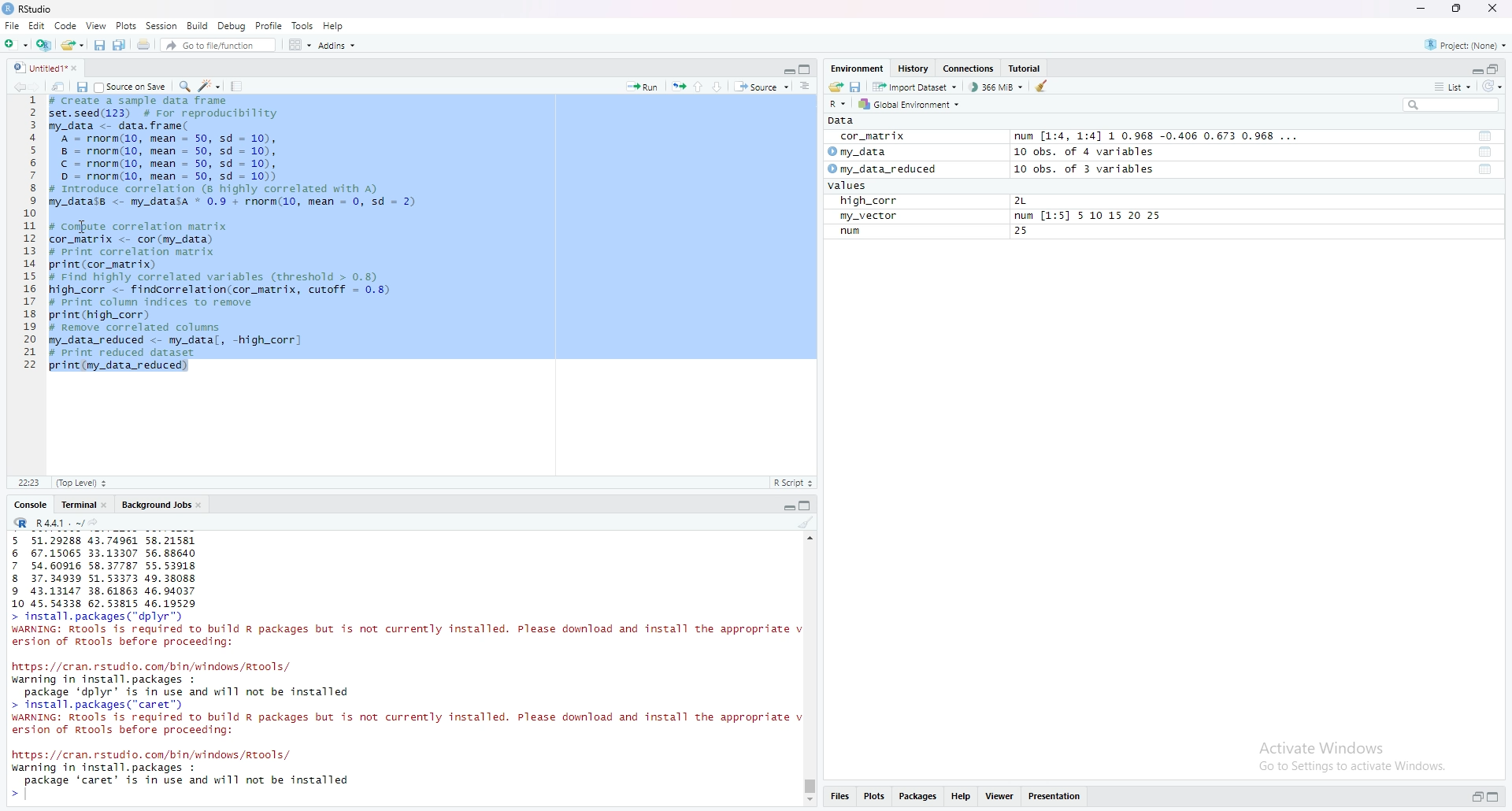 The image size is (1512, 811). I want to click on my_data_reduced 10 obs. of 3 variables, so click(997, 168).